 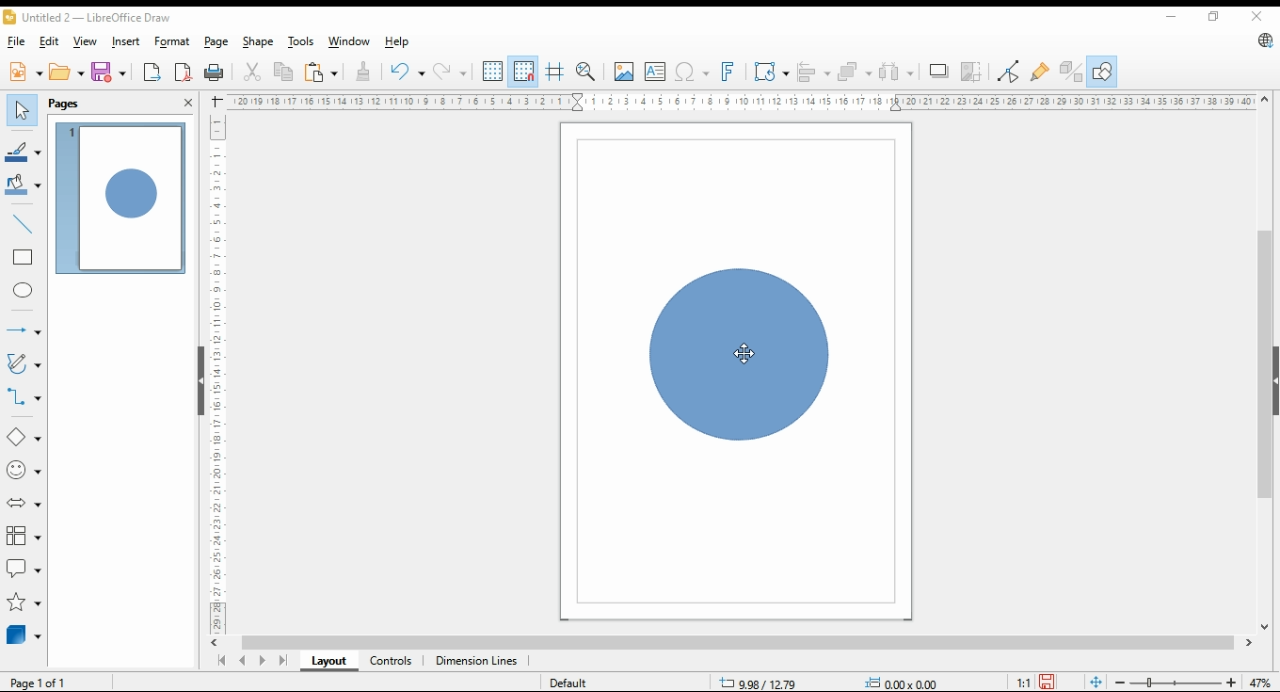 What do you see at coordinates (1173, 18) in the screenshot?
I see `minimize` at bounding box center [1173, 18].